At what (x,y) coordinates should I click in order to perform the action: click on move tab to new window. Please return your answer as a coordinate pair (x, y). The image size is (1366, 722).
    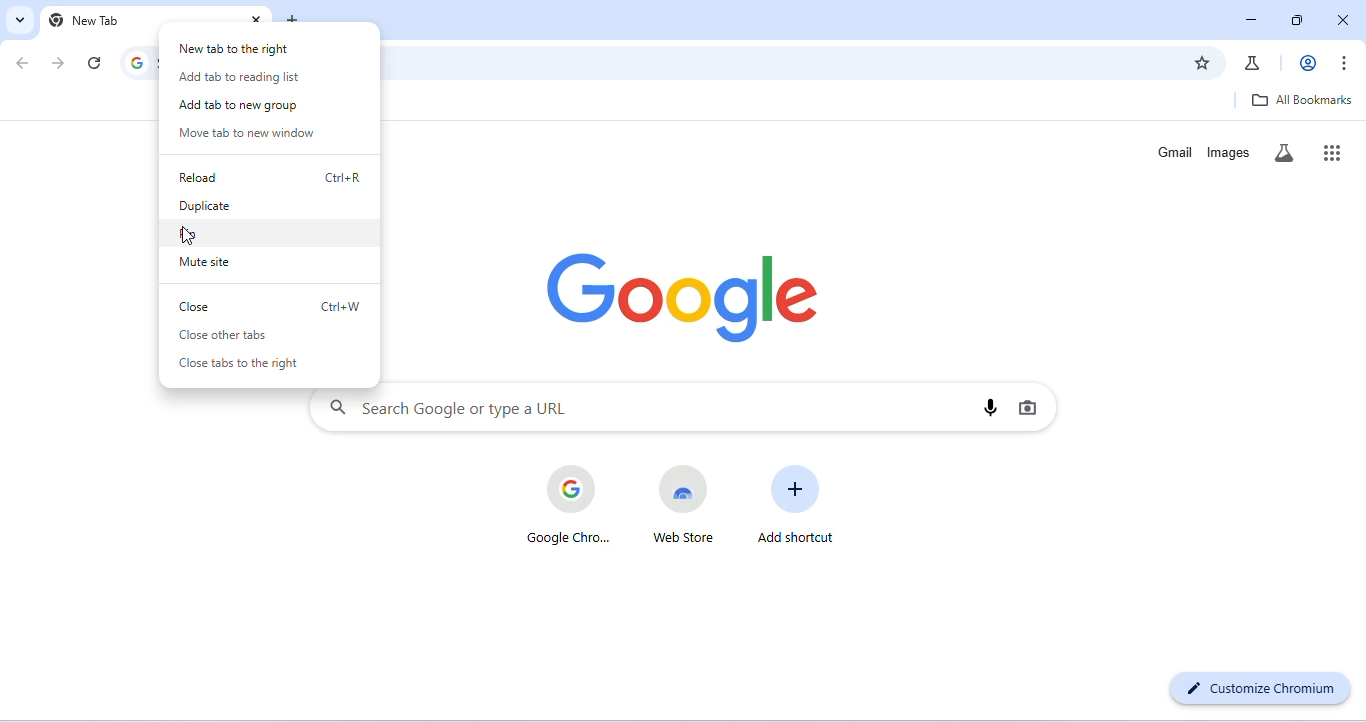
    Looking at the image, I should click on (246, 135).